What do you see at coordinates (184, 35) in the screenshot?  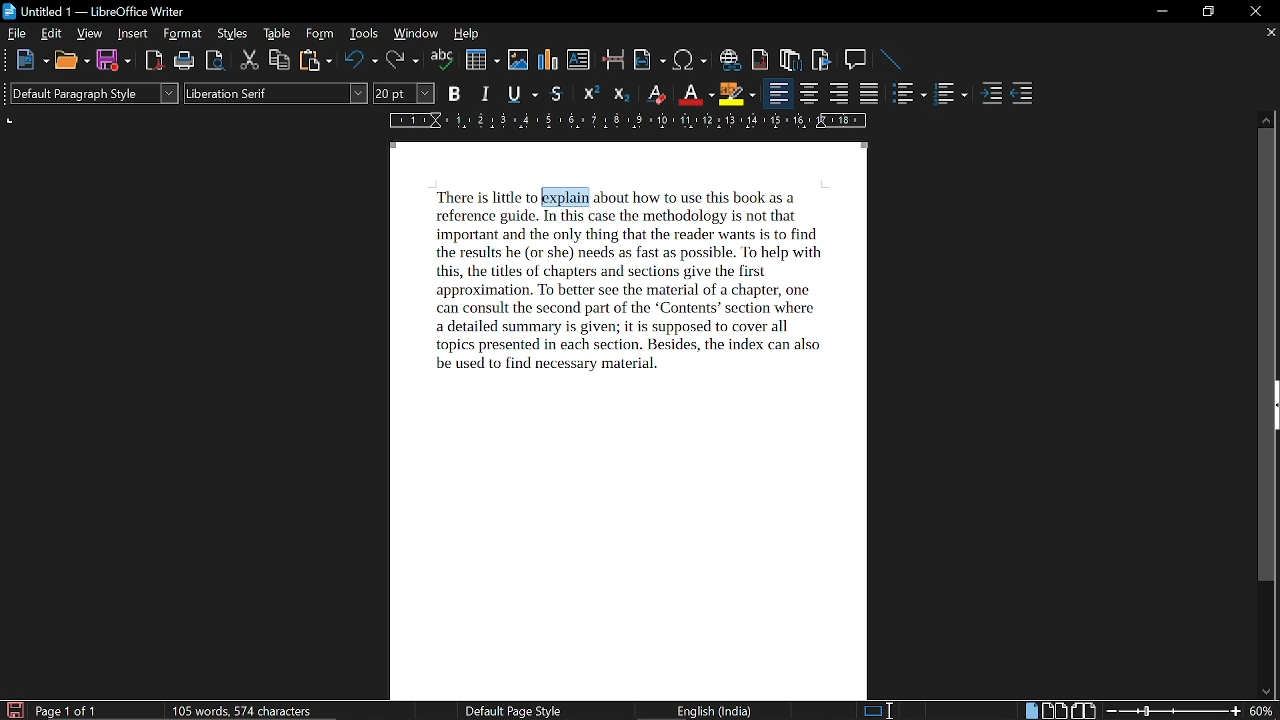 I see `format` at bounding box center [184, 35].